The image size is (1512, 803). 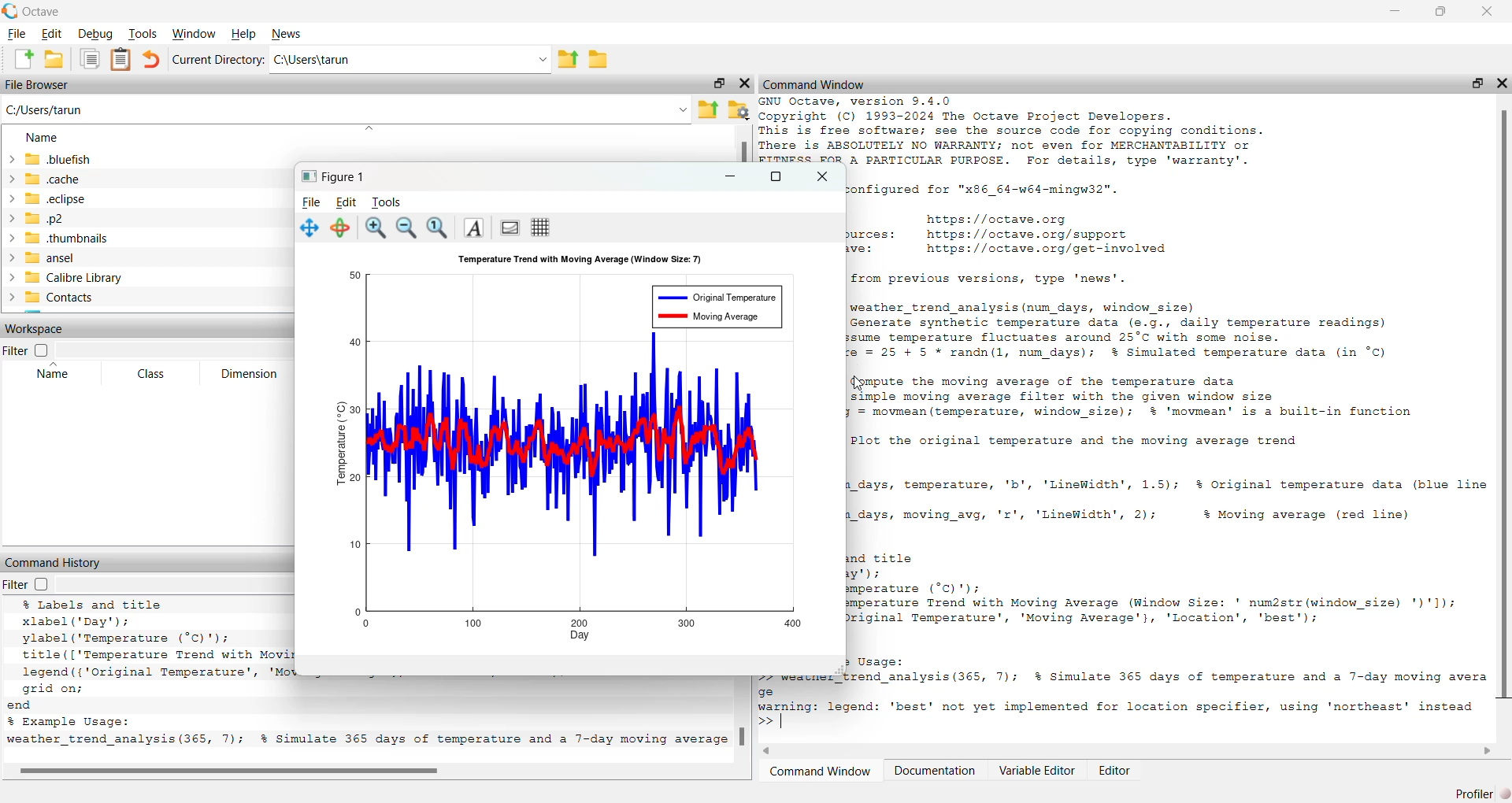 I want to click on File up, so click(x=565, y=60).